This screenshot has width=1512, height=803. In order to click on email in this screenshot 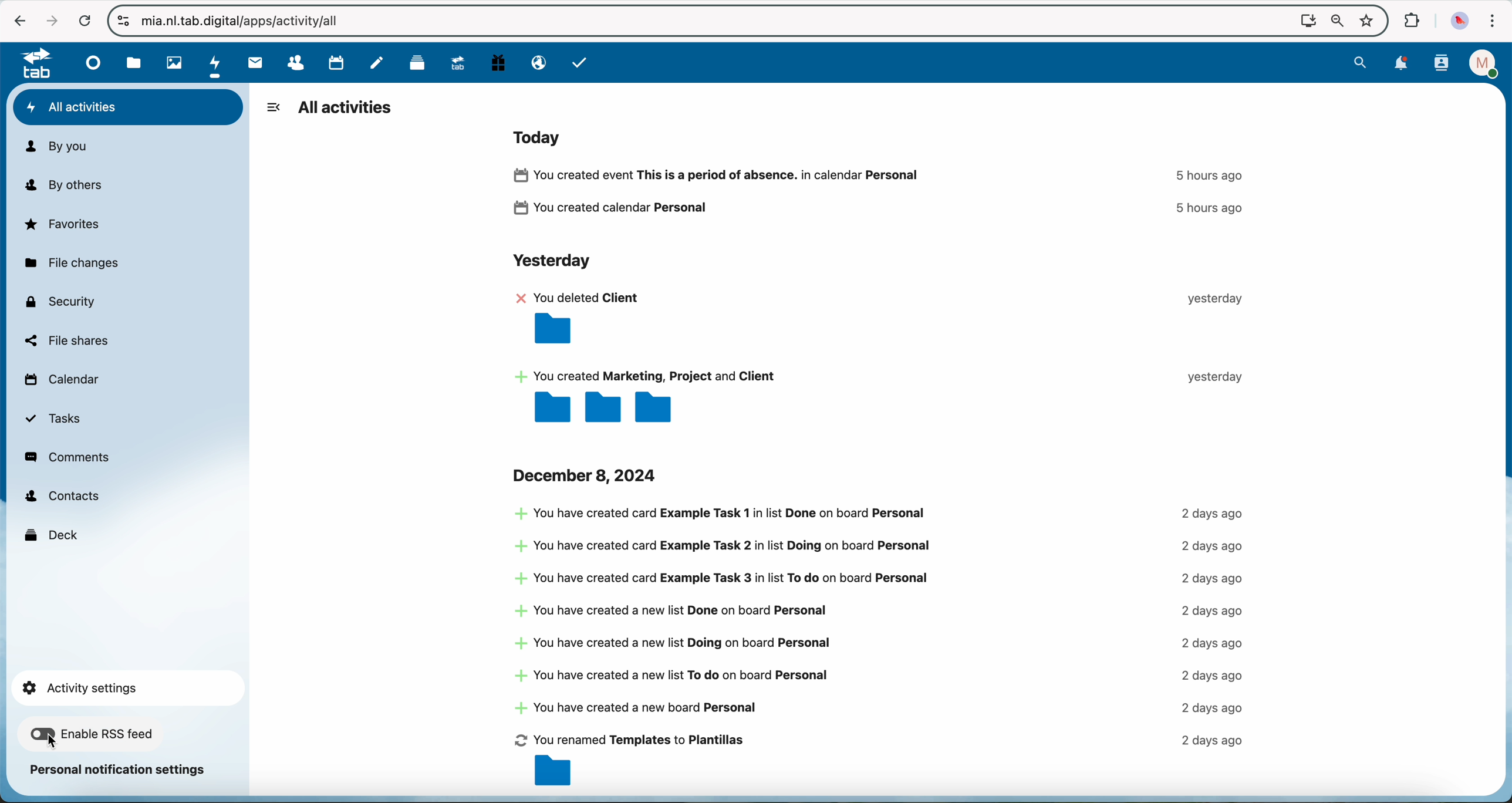, I will do `click(538, 63)`.